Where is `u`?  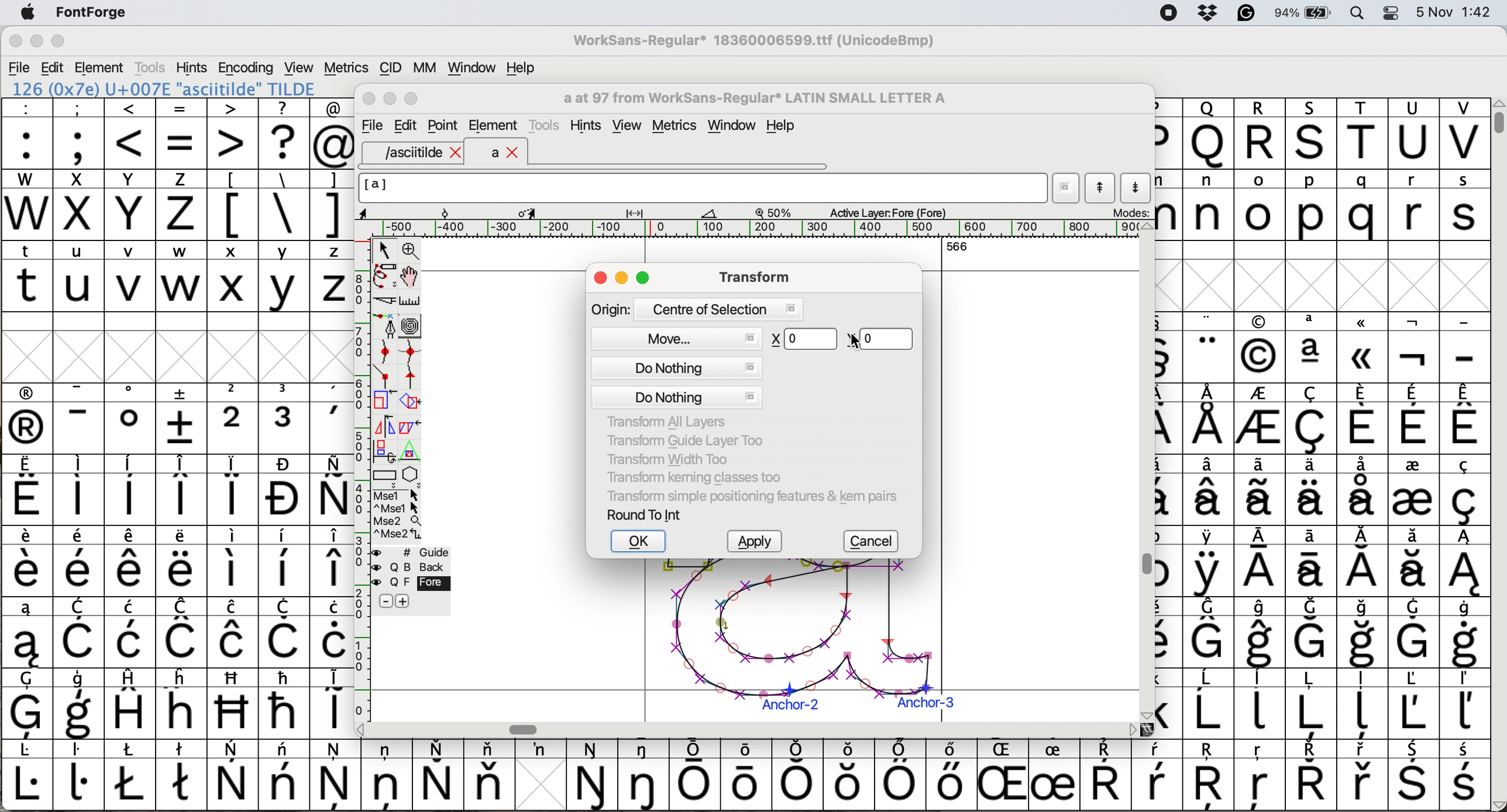
u is located at coordinates (80, 276).